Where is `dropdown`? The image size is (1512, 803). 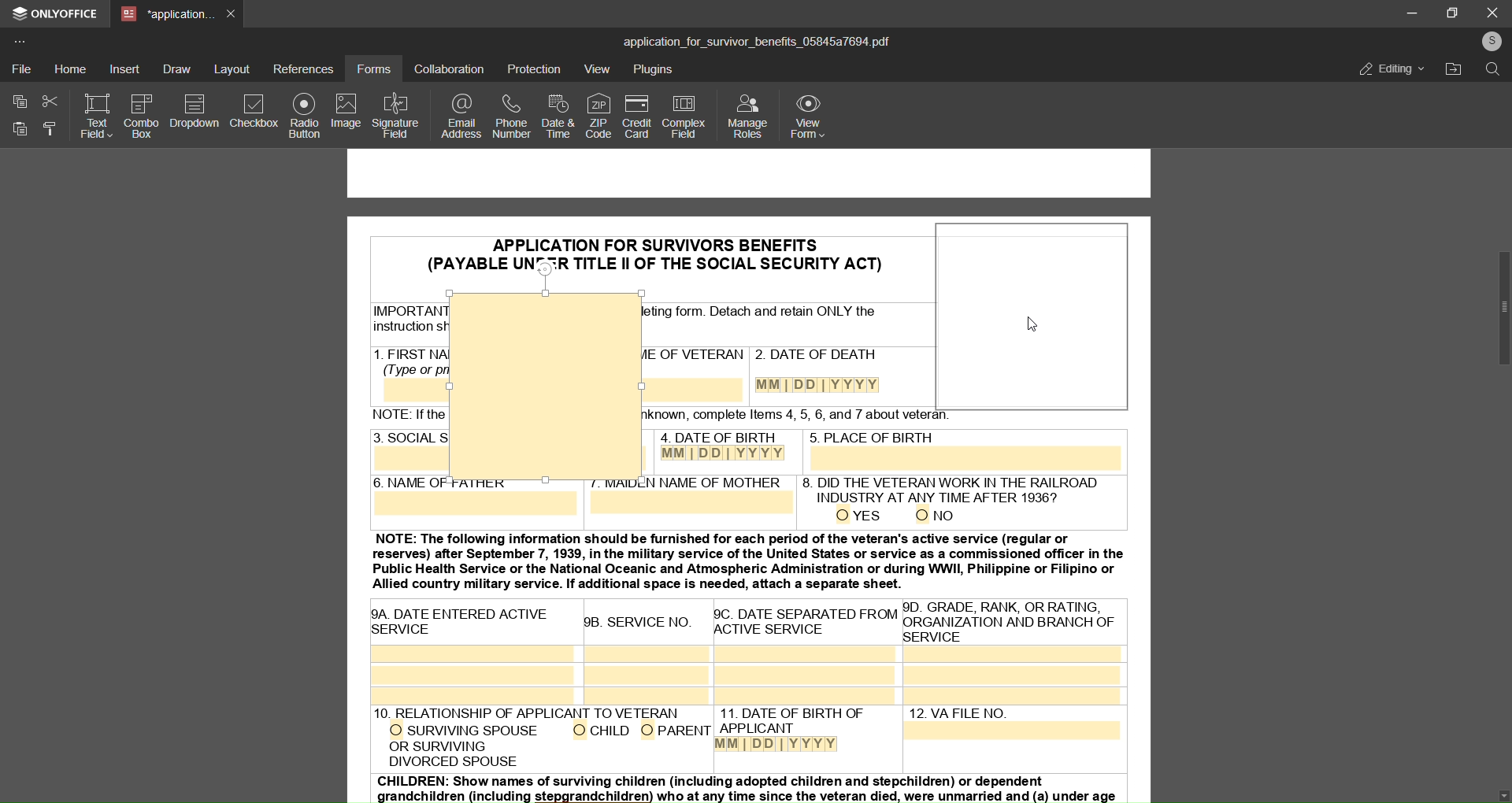
dropdown is located at coordinates (196, 112).